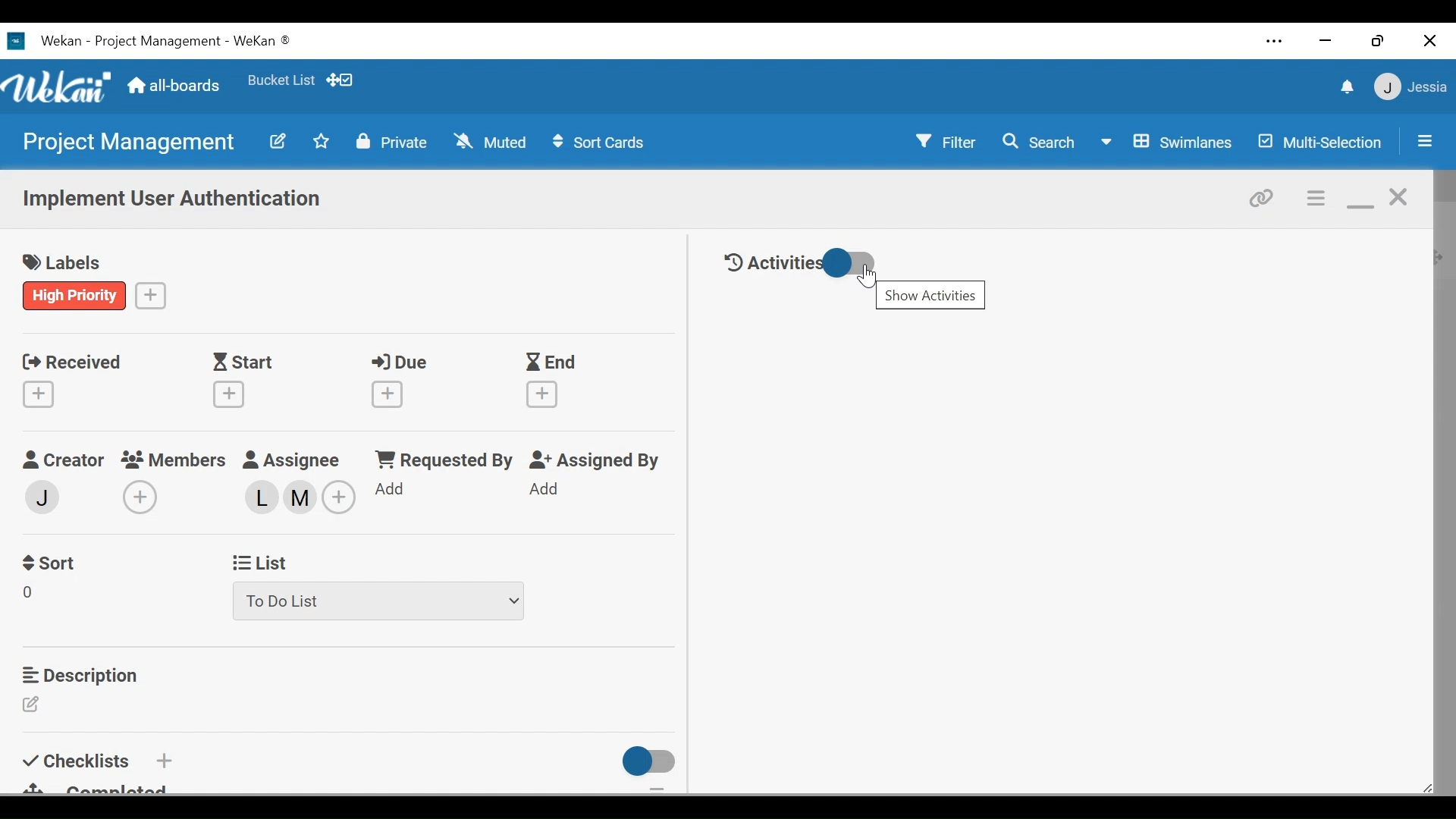  What do you see at coordinates (1171, 143) in the screenshot?
I see `Board View` at bounding box center [1171, 143].